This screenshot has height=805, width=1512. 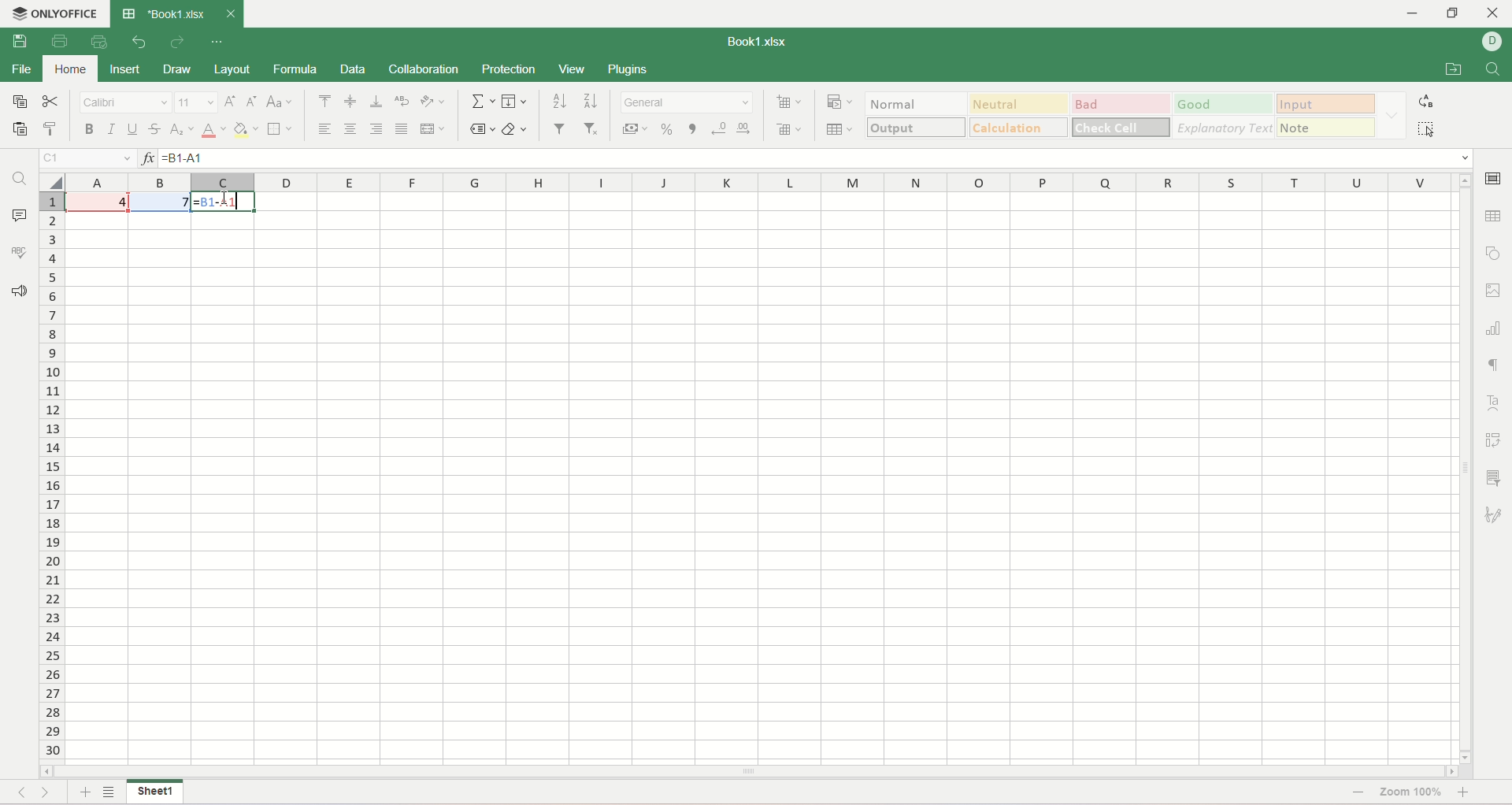 What do you see at coordinates (196, 101) in the screenshot?
I see `font size` at bounding box center [196, 101].